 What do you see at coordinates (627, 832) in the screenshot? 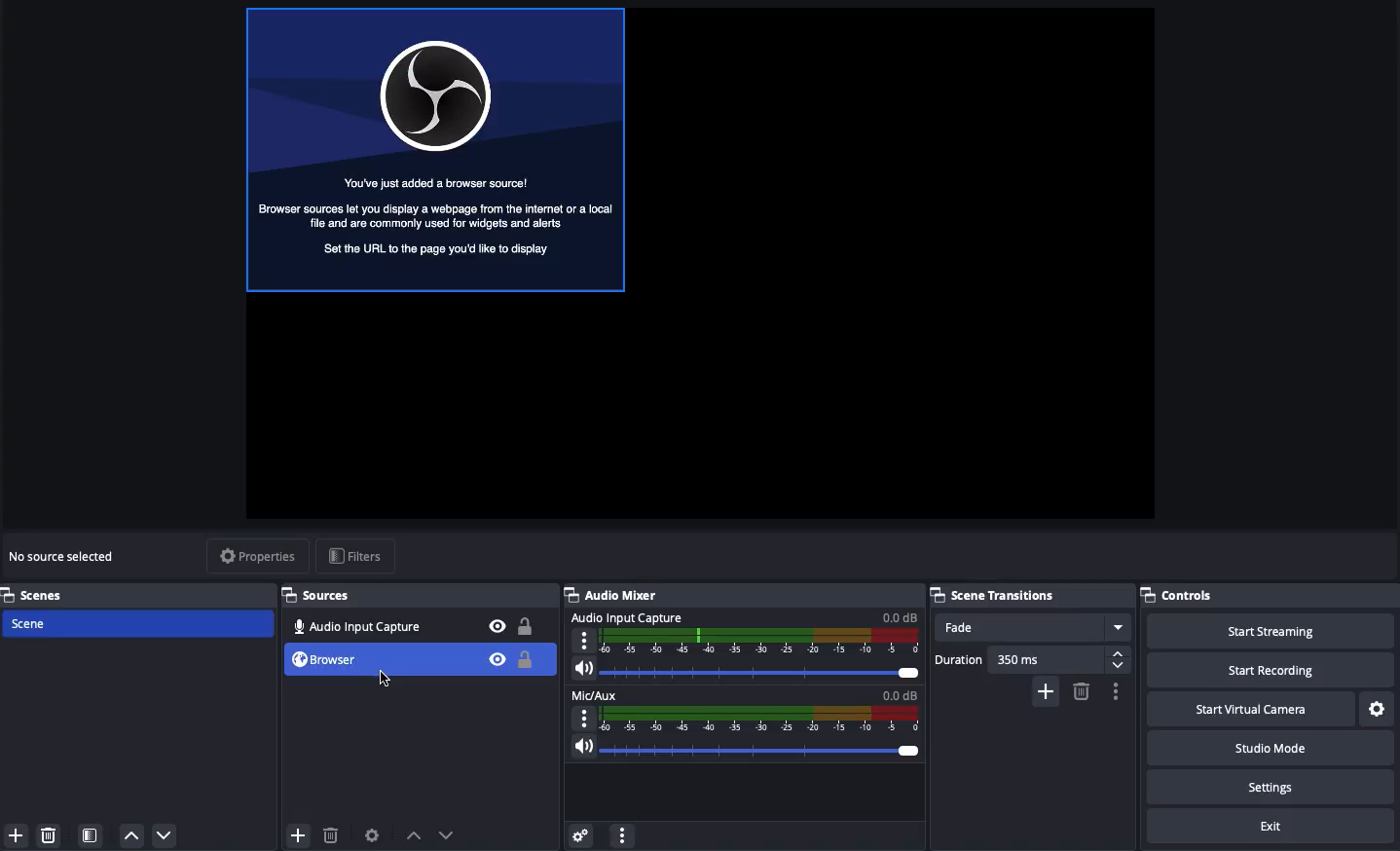
I see `More` at bounding box center [627, 832].